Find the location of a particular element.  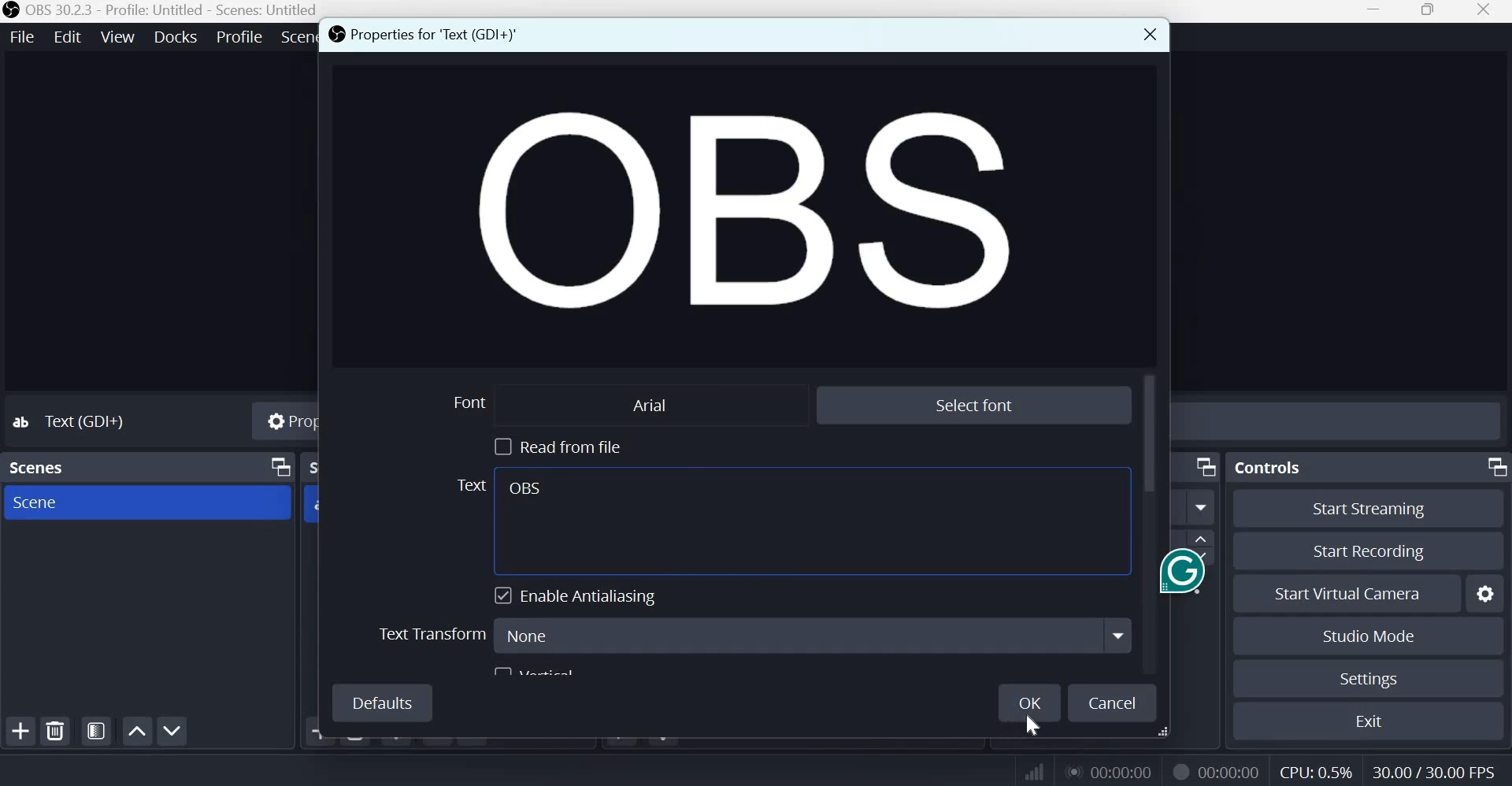

vertical is located at coordinates (541, 670).